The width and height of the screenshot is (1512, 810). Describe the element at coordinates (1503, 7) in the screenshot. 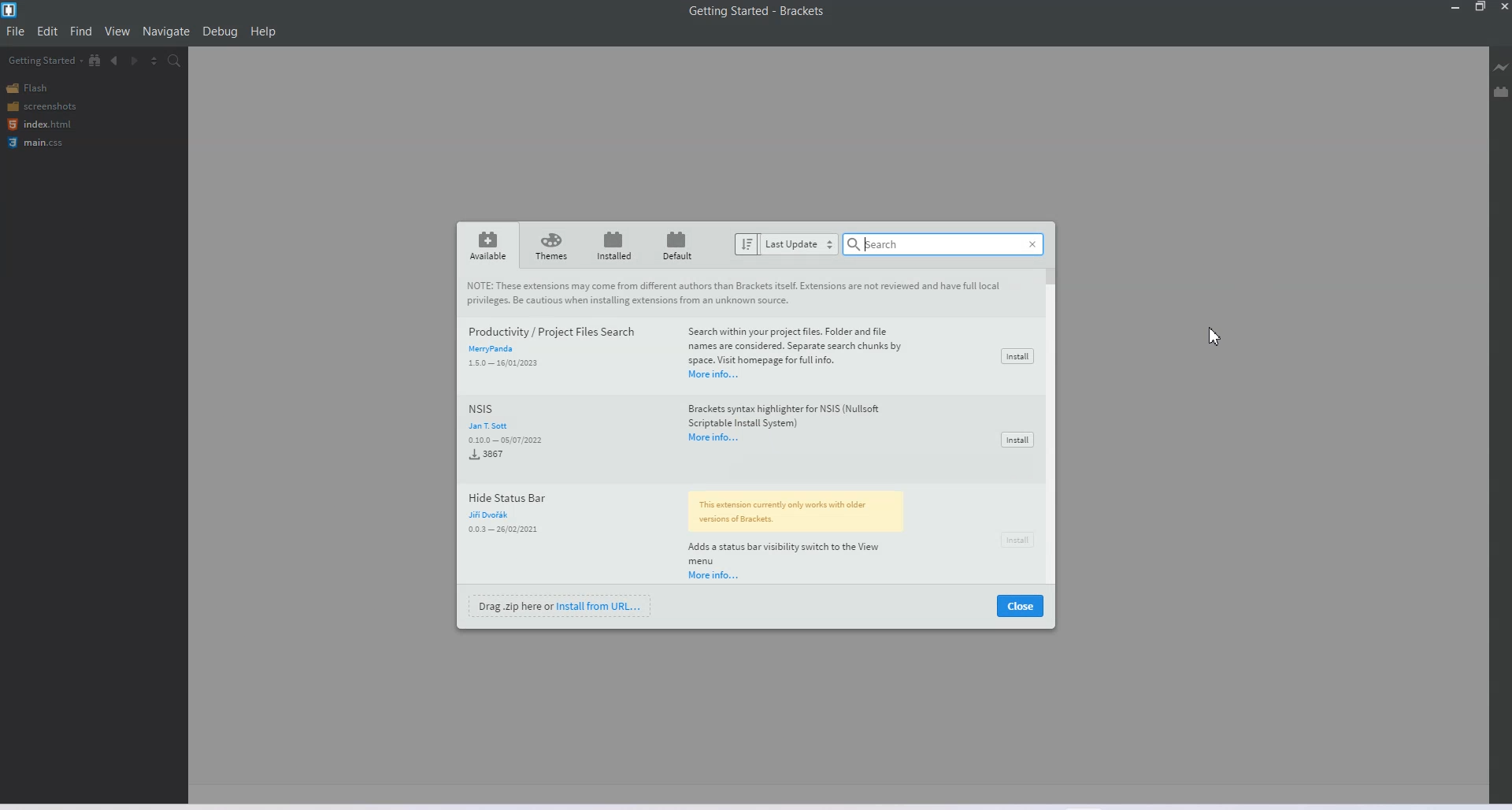

I see `Close` at that location.